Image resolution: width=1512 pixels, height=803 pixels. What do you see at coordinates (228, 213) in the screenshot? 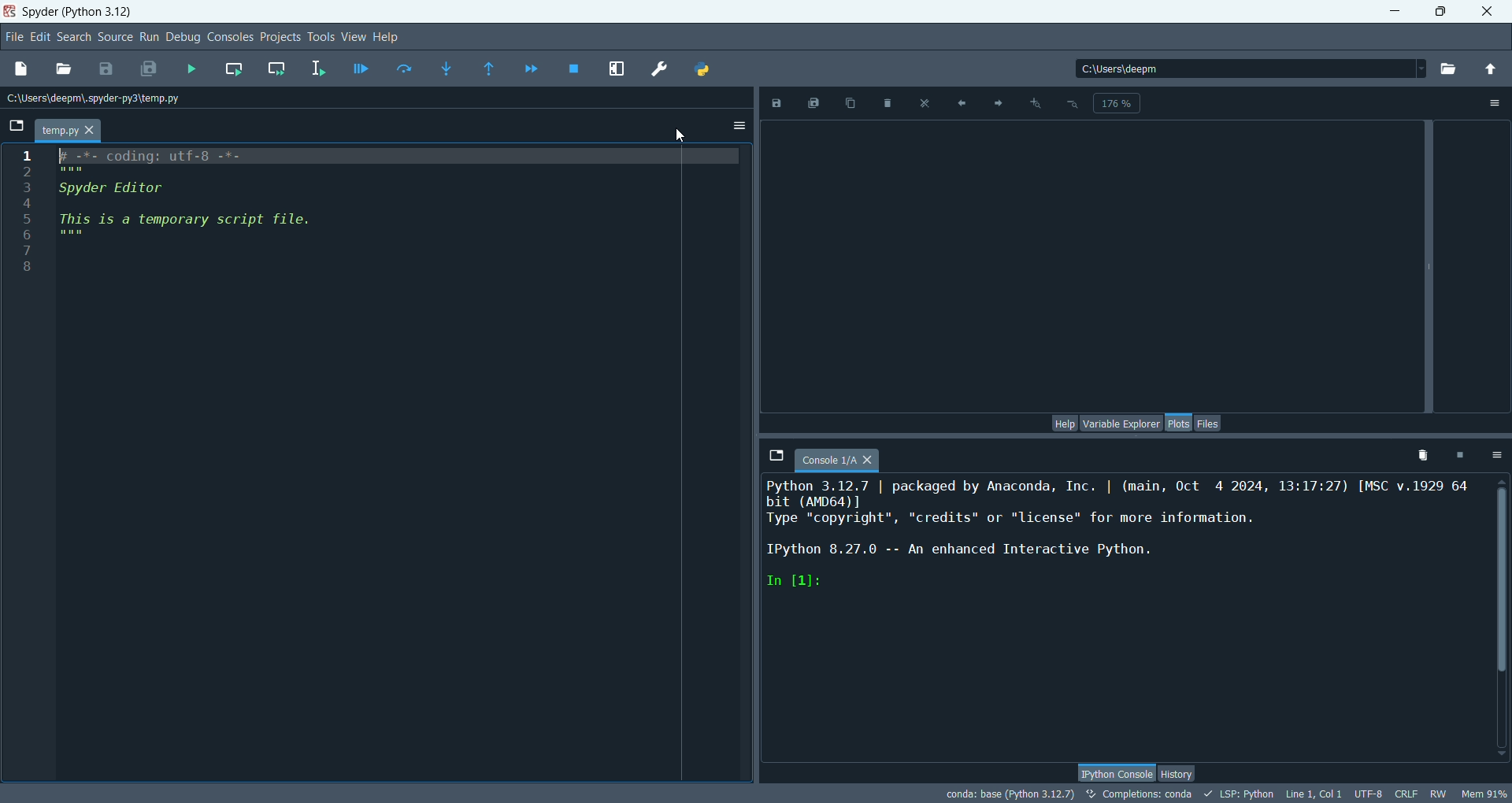
I see `script file` at bounding box center [228, 213].